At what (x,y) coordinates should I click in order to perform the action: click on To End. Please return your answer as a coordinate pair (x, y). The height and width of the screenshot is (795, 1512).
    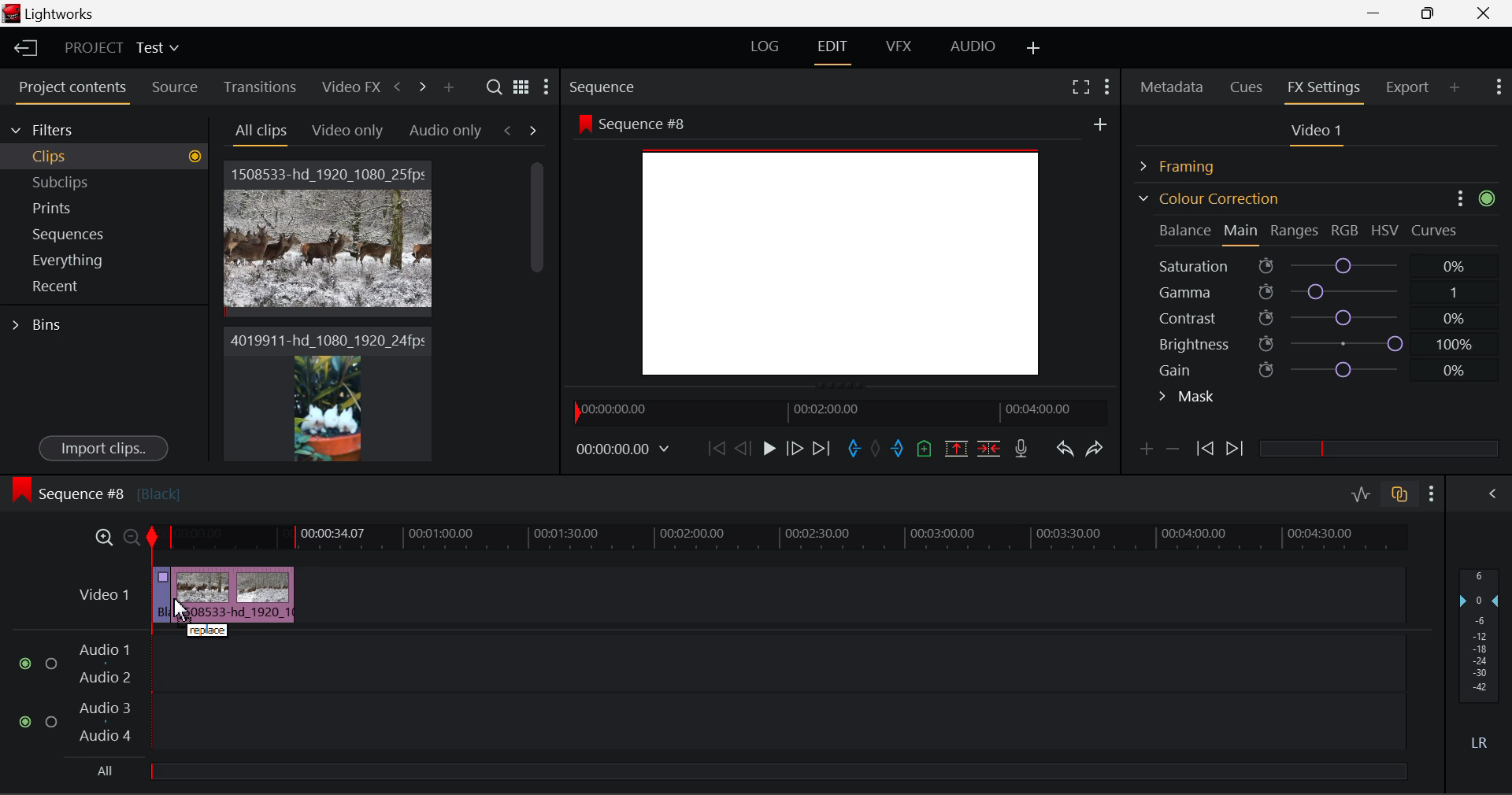
    Looking at the image, I should click on (821, 449).